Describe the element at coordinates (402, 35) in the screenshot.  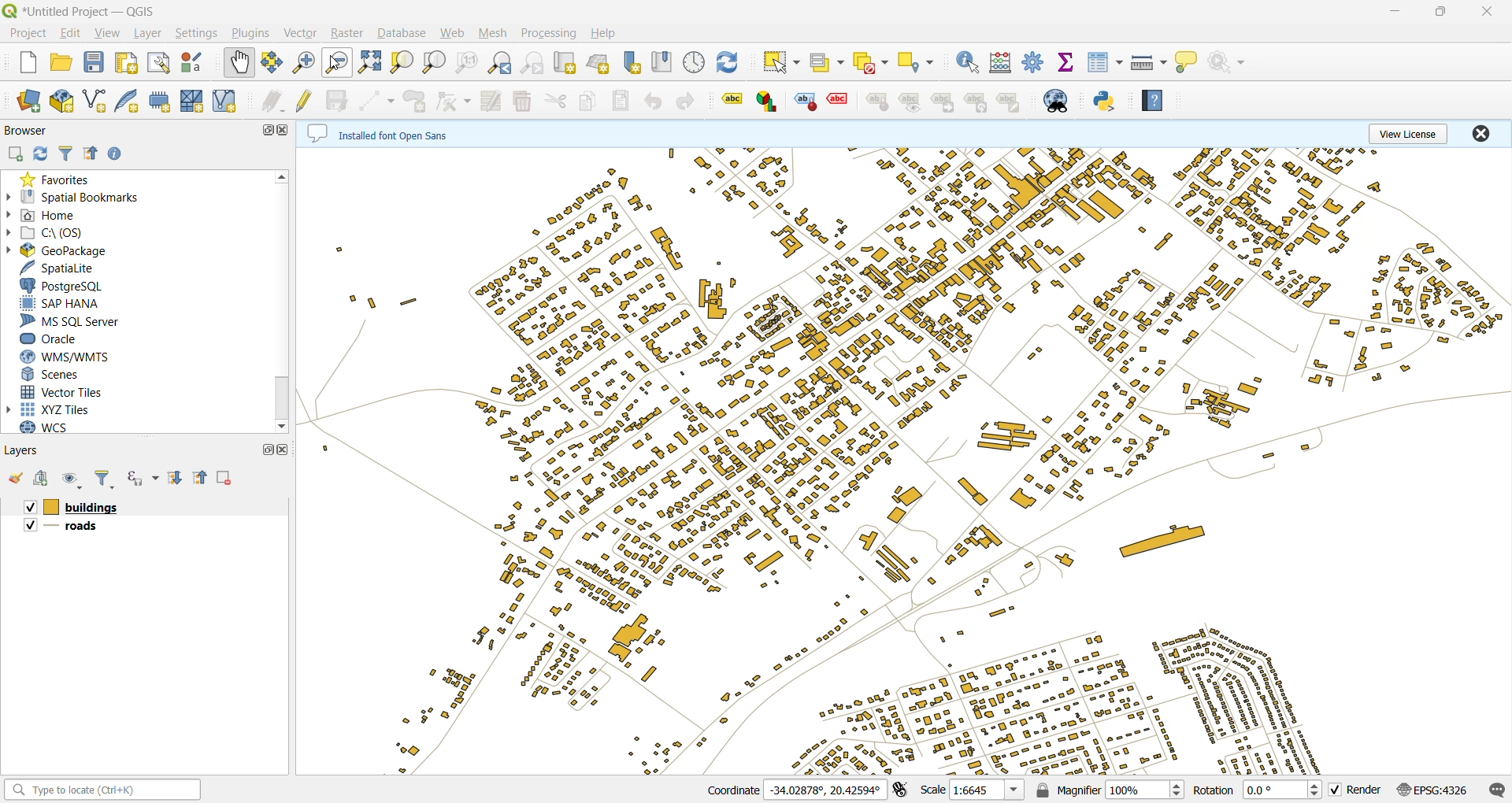
I see `database` at that location.